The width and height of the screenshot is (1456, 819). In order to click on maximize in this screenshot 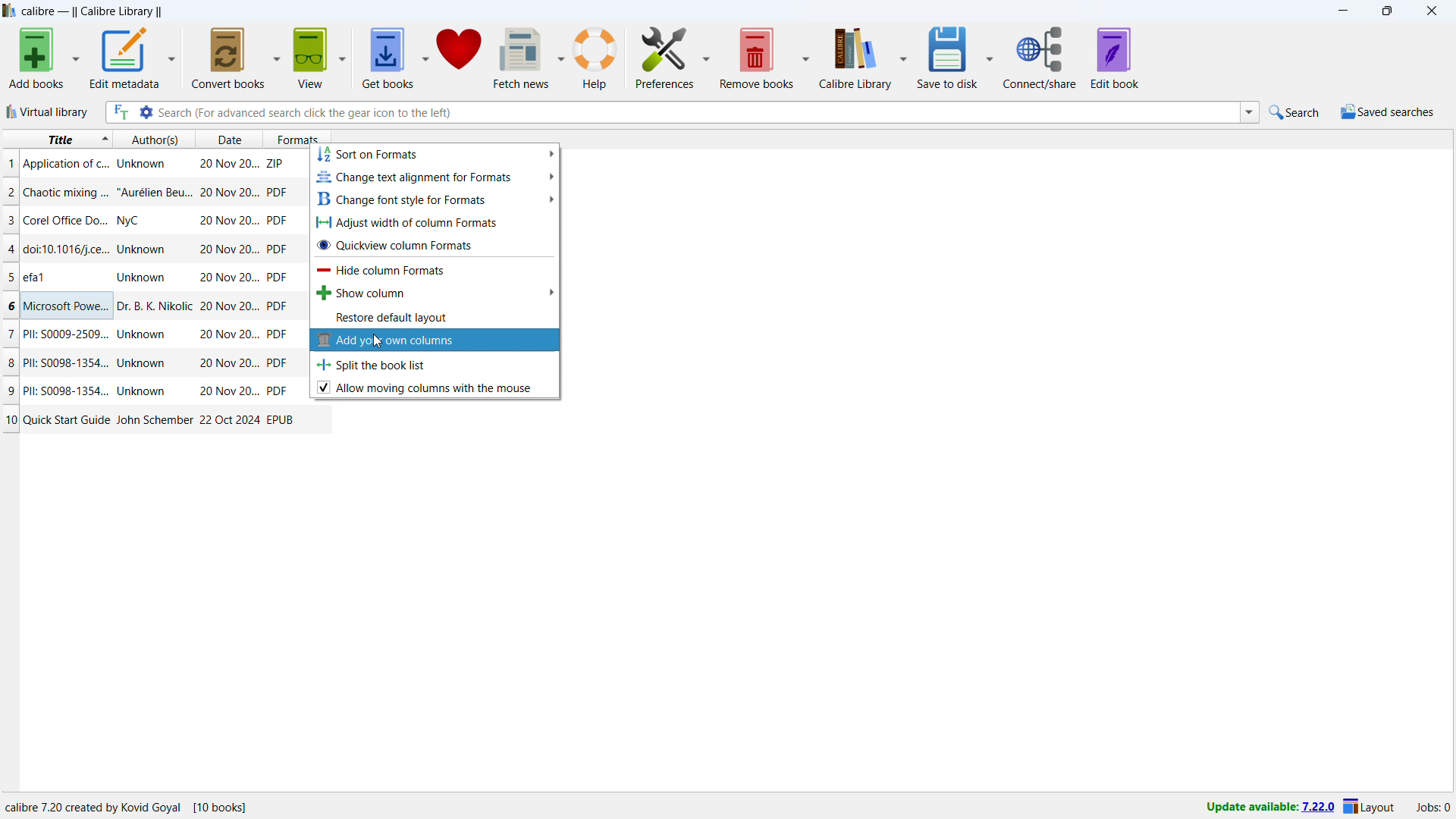, I will do `click(1386, 11)`.